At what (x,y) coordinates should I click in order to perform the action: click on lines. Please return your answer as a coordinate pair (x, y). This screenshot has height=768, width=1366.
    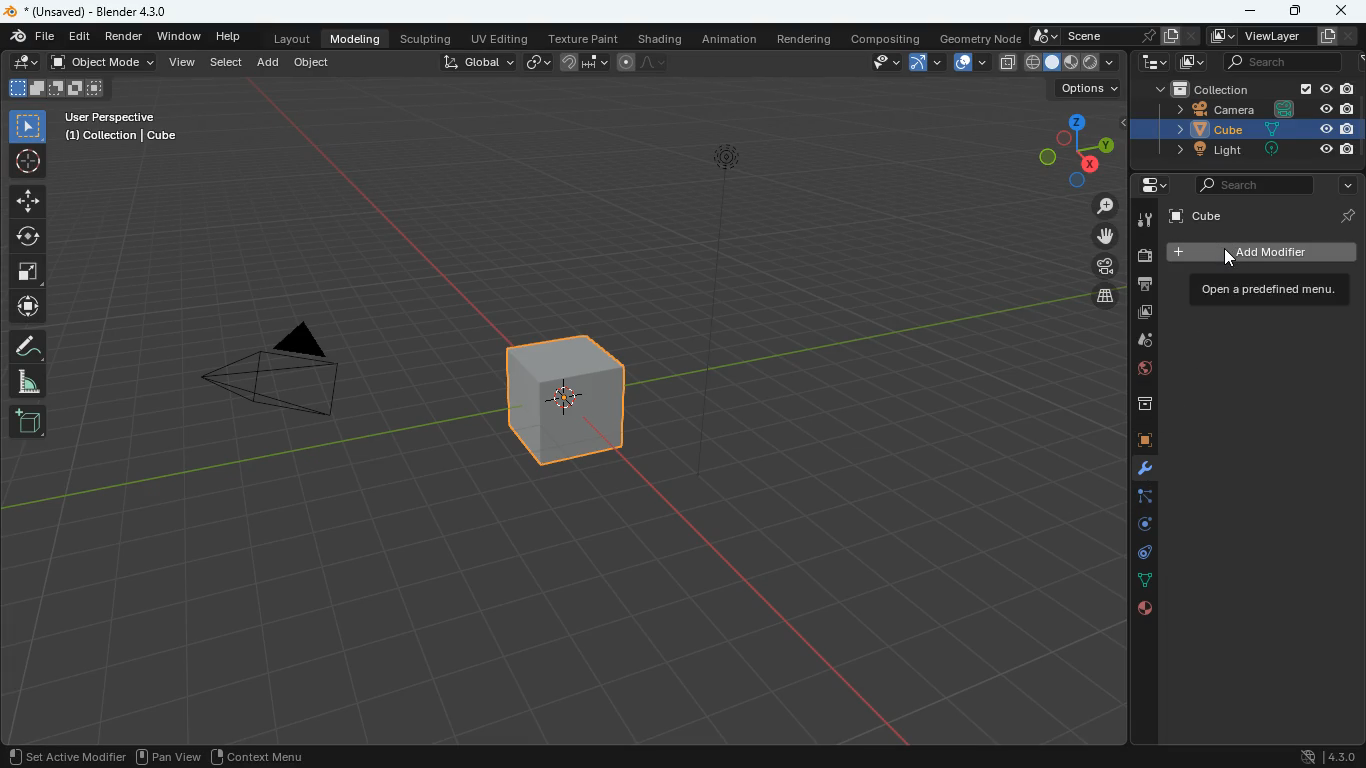
    Looking at the image, I should click on (1142, 581).